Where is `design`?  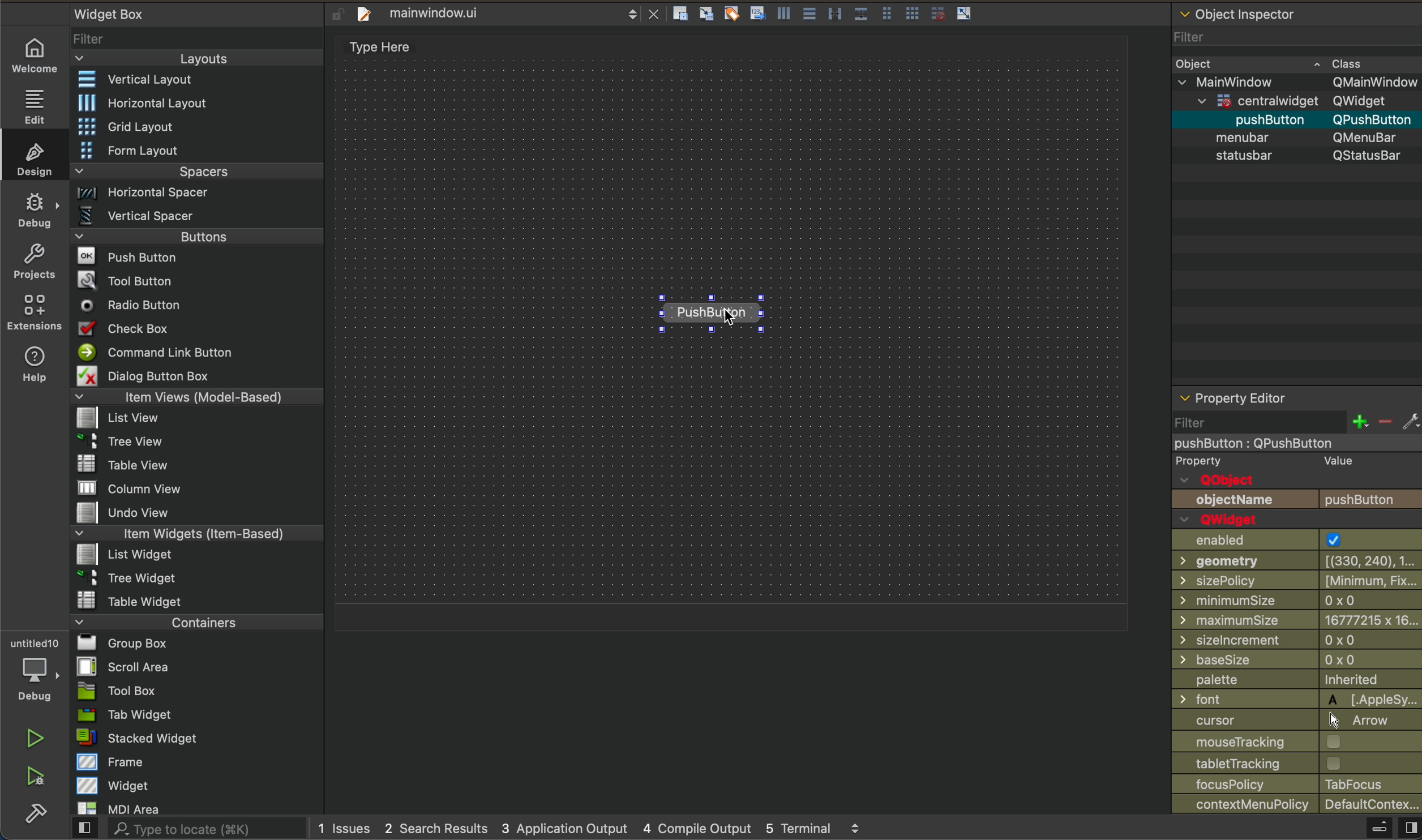 design is located at coordinates (33, 159).